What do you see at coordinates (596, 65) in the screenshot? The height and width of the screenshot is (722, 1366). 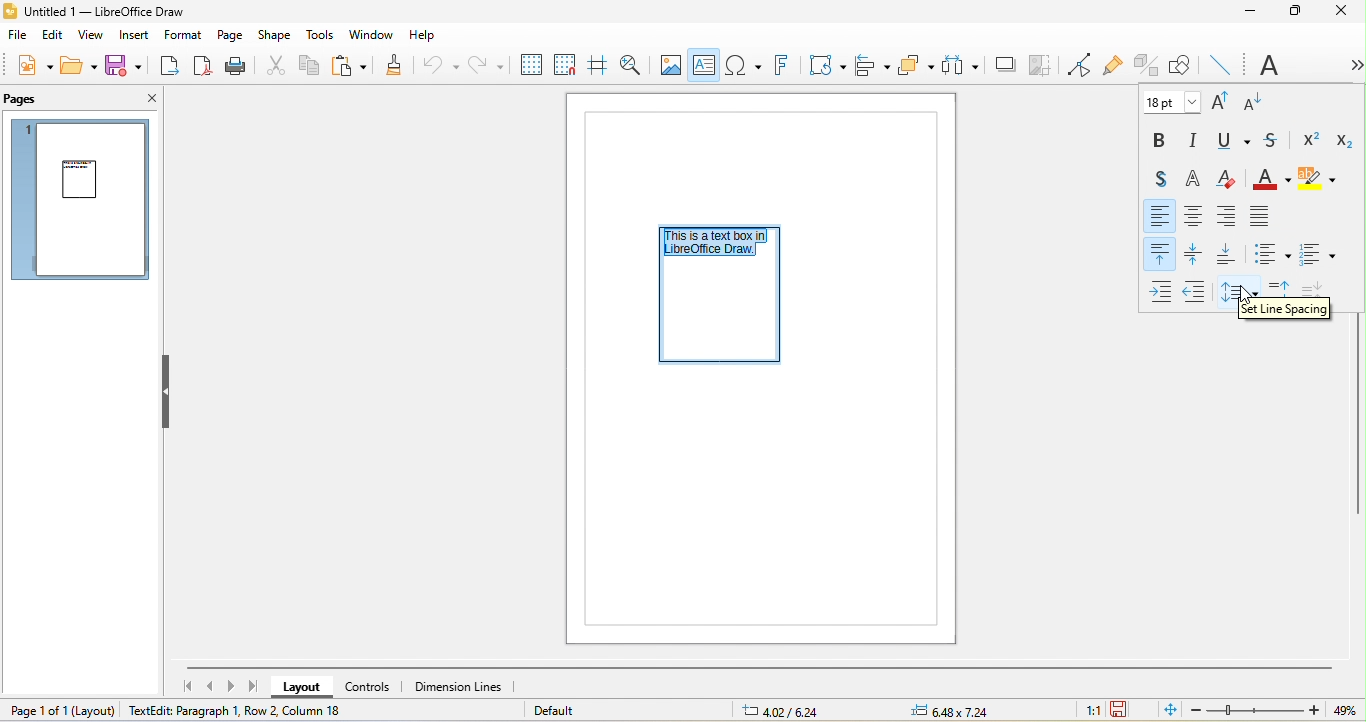 I see `helpline while moving` at bounding box center [596, 65].